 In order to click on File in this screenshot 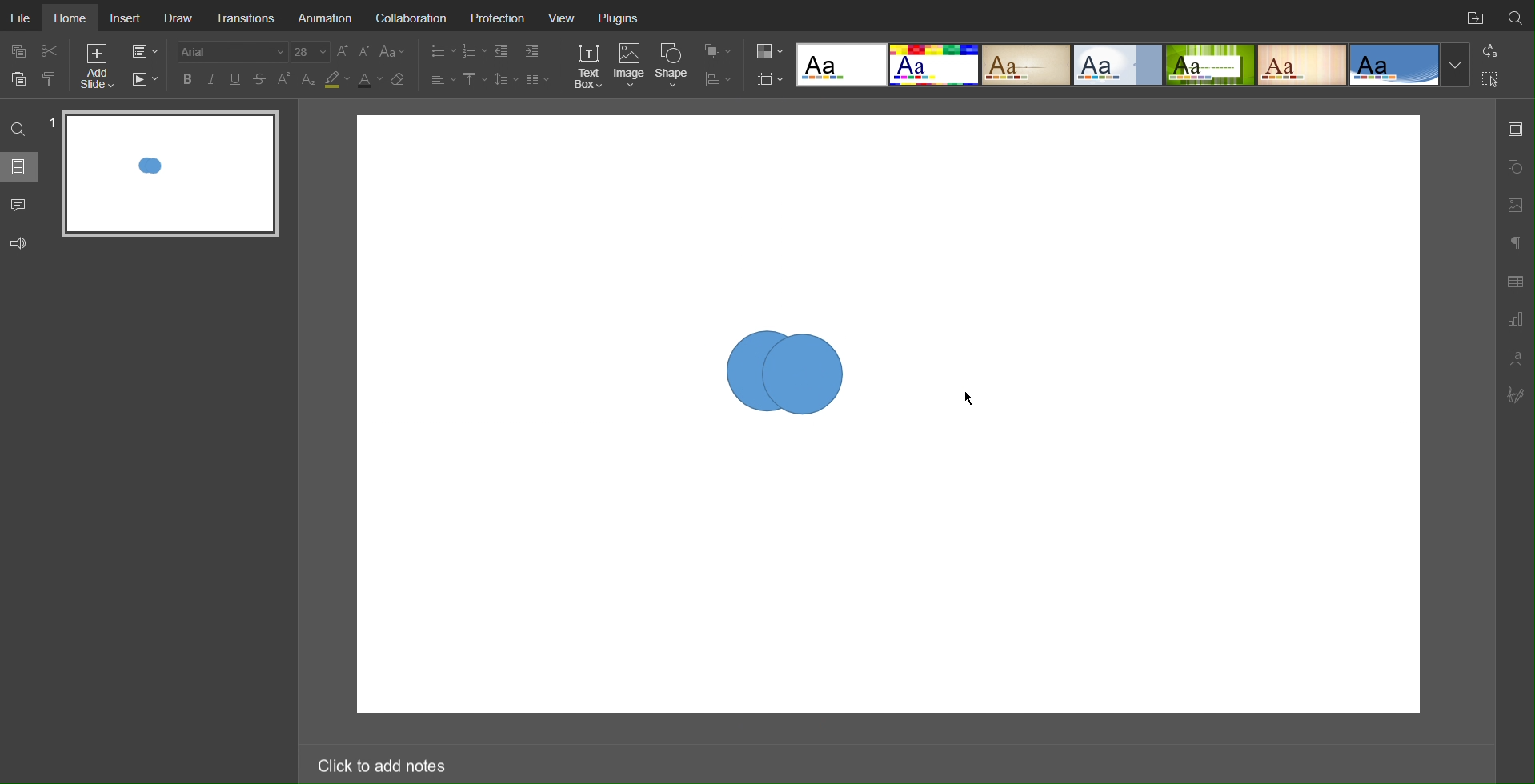, I will do `click(19, 15)`.